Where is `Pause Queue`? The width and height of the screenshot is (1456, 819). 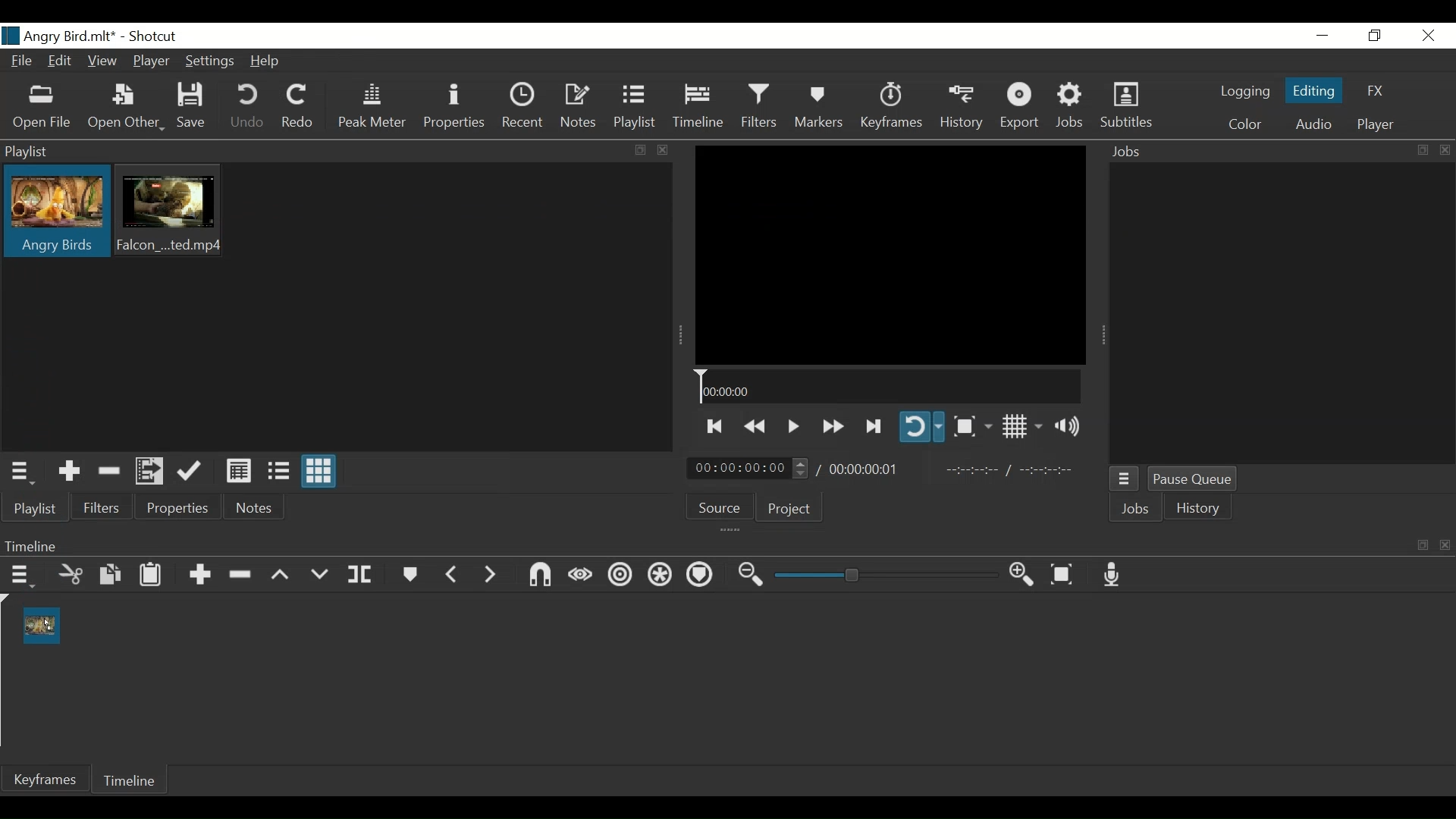
Pause Queue is located at coordinates (1193, 479).